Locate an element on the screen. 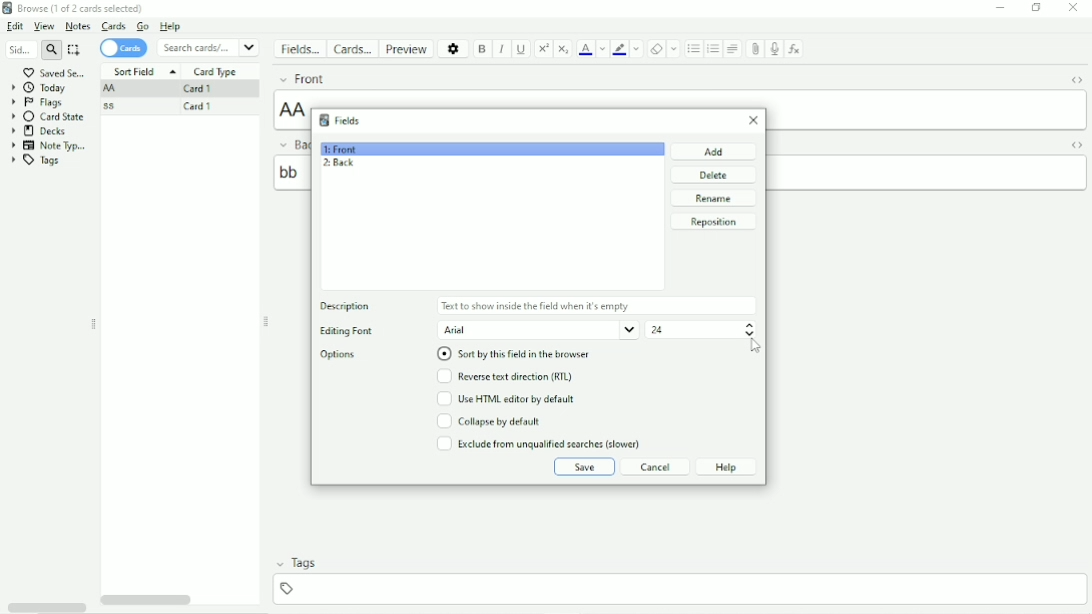  Card 1 is located at coordinates (204, 108).